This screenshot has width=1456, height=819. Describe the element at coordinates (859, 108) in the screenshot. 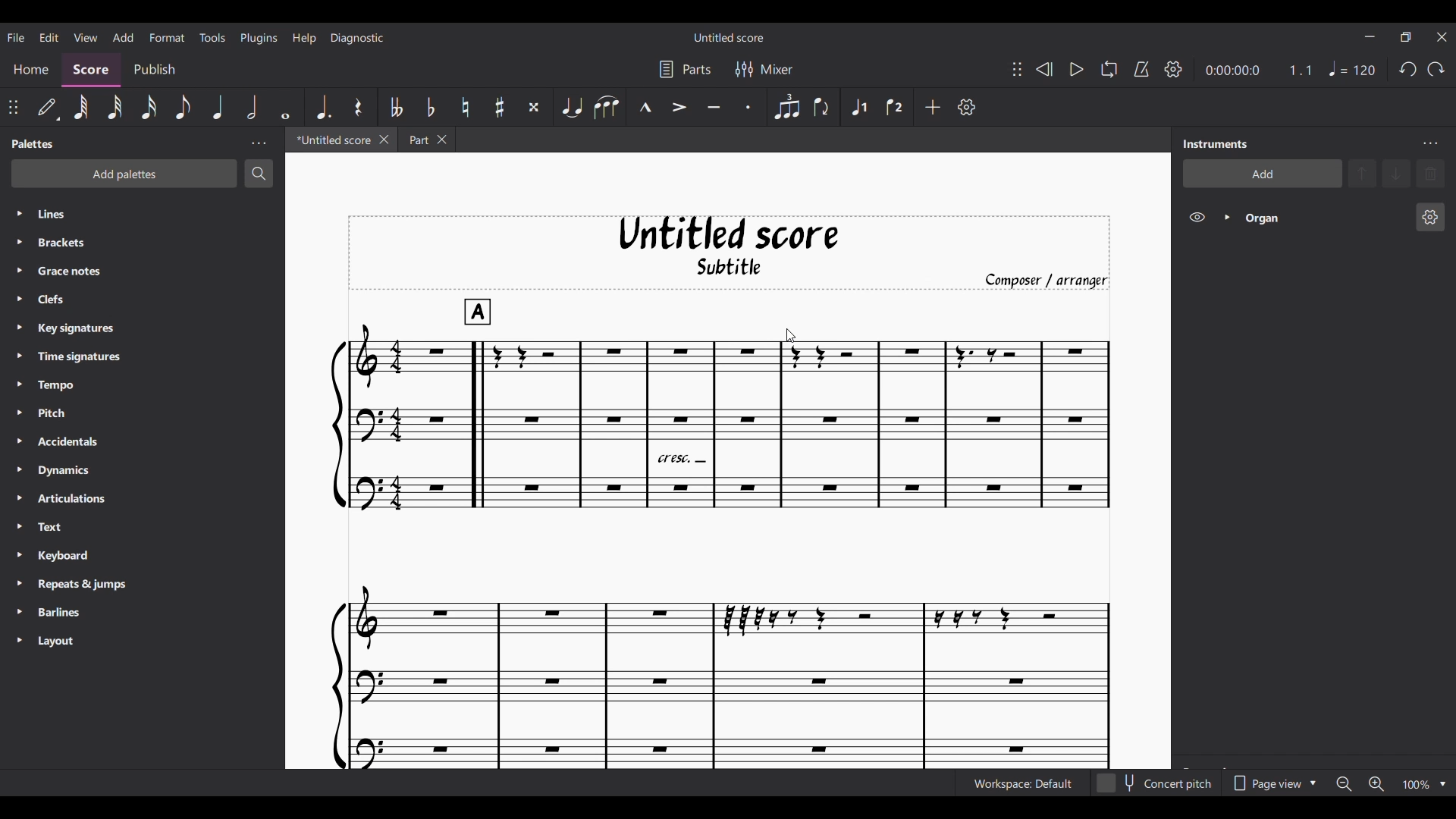

I see `Voice 1` at that location.